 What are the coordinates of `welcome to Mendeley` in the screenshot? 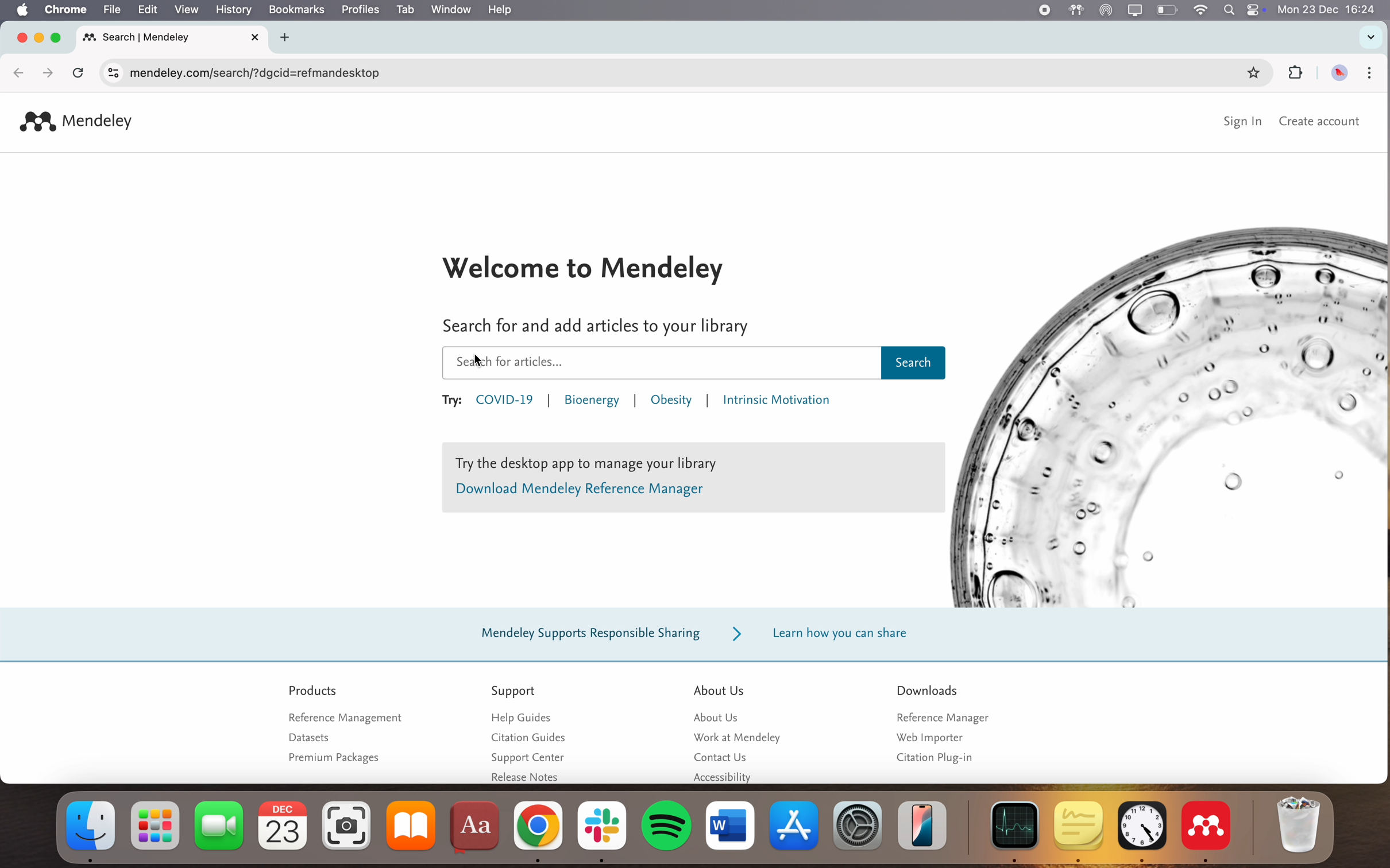 It's located at (586, 266).